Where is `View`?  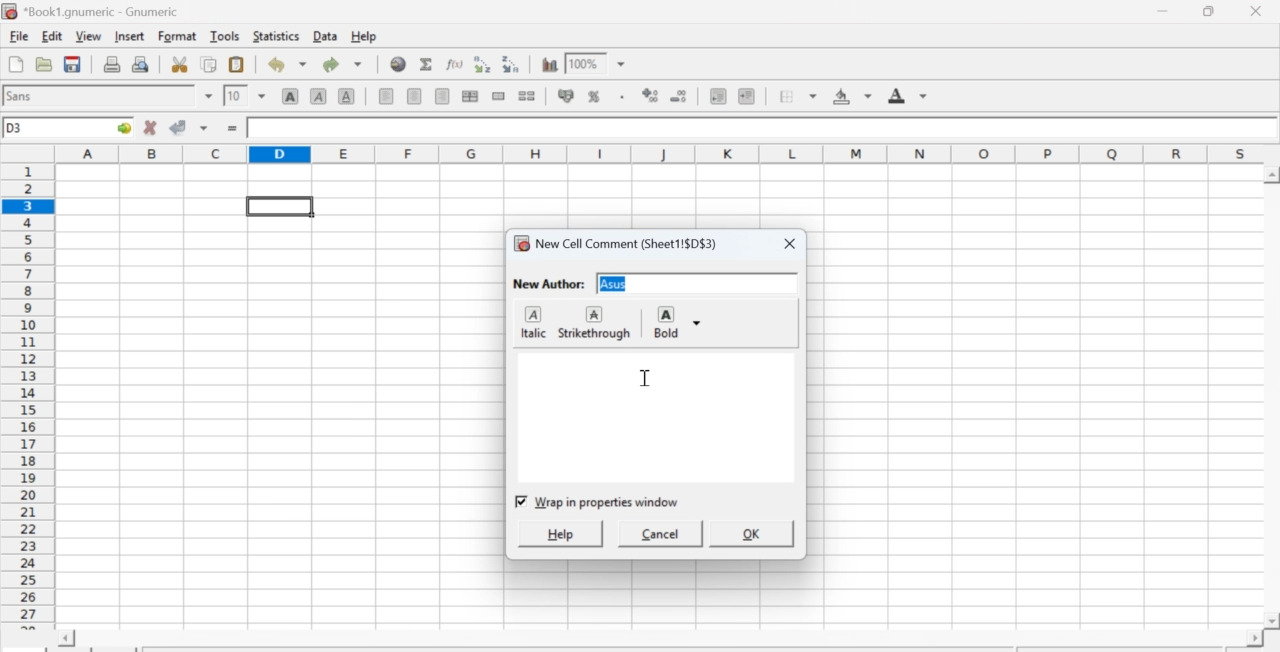
View is located at coordinates (88, 35).